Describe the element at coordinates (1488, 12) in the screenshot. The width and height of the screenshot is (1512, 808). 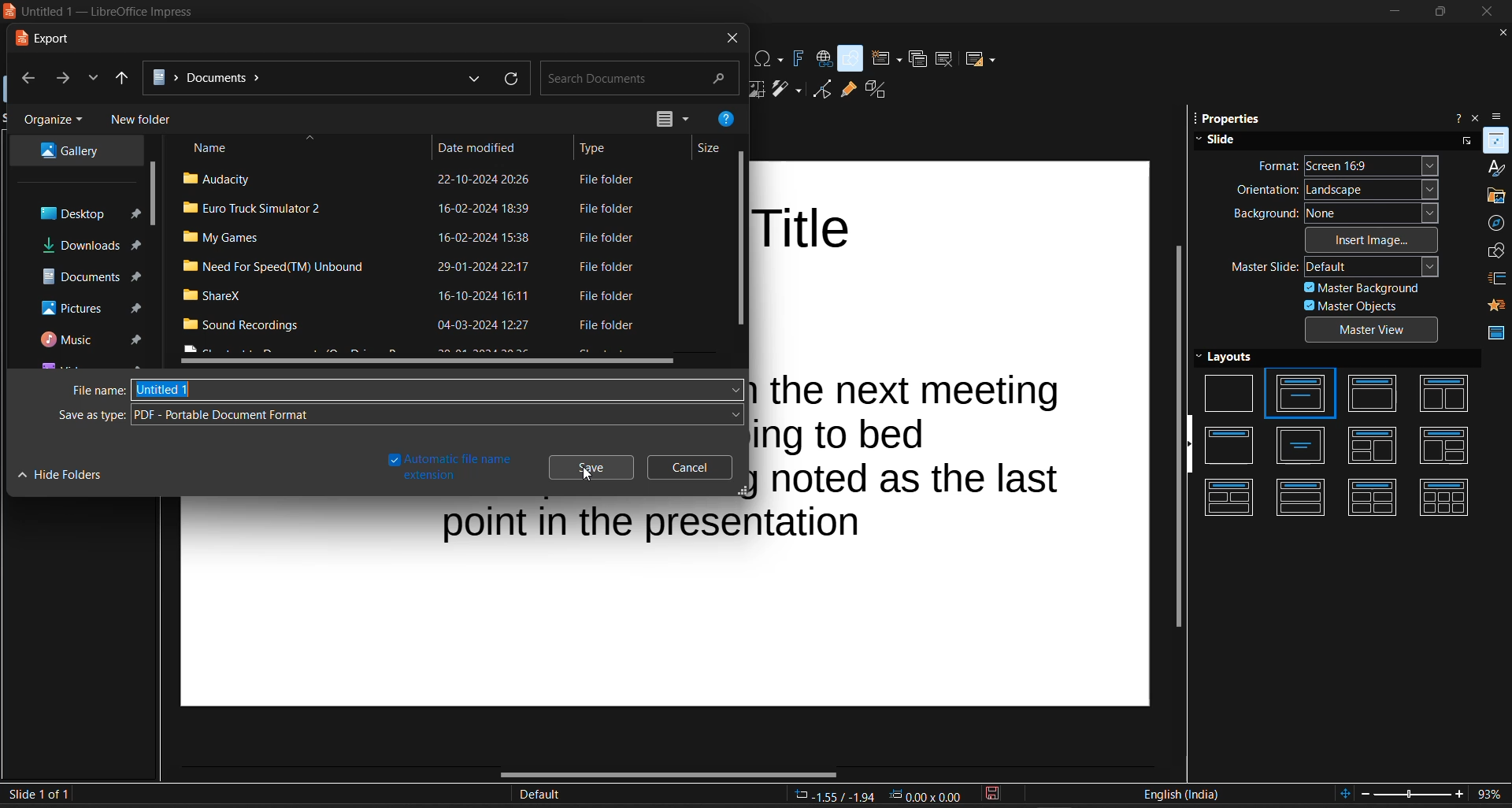
I see `close` at that location.